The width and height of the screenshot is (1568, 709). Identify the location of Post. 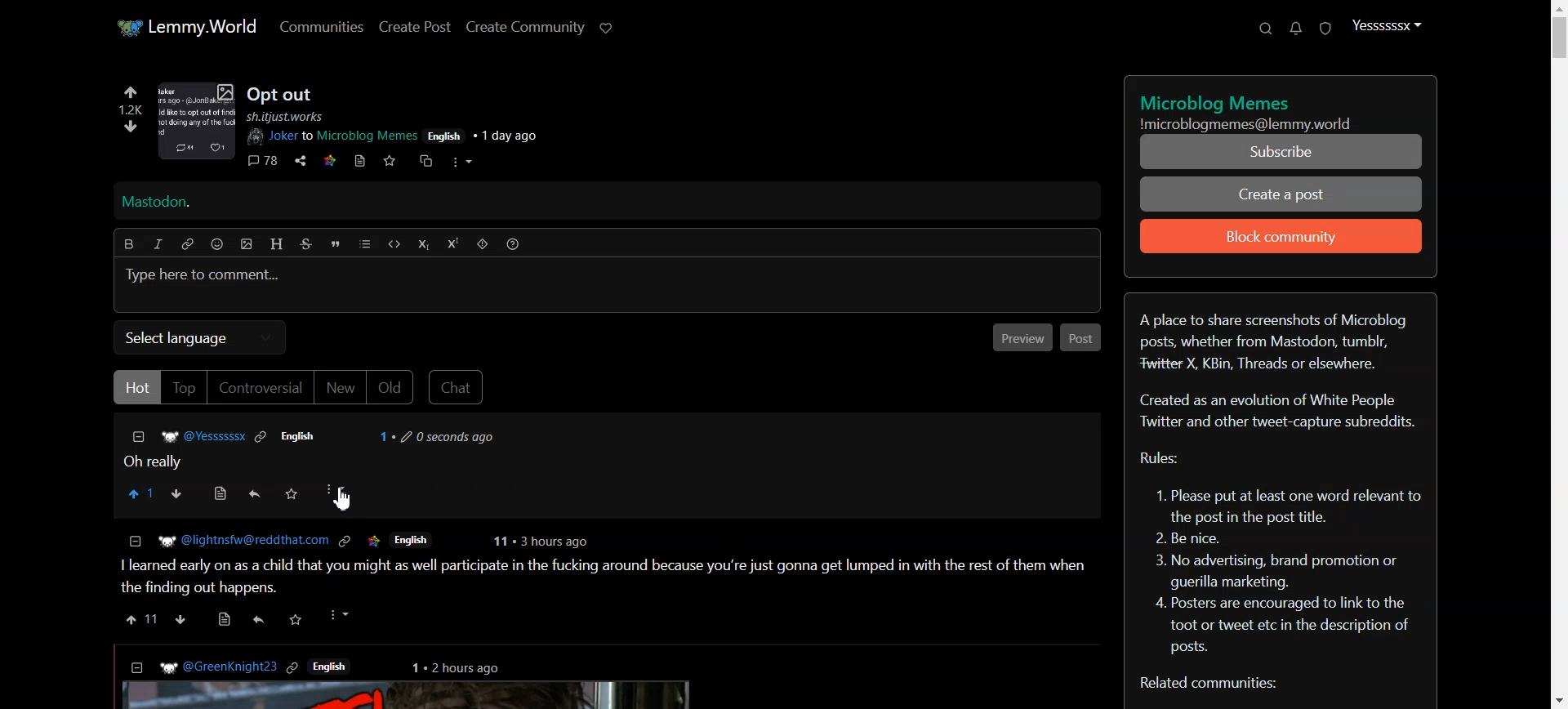
(1083, 337).